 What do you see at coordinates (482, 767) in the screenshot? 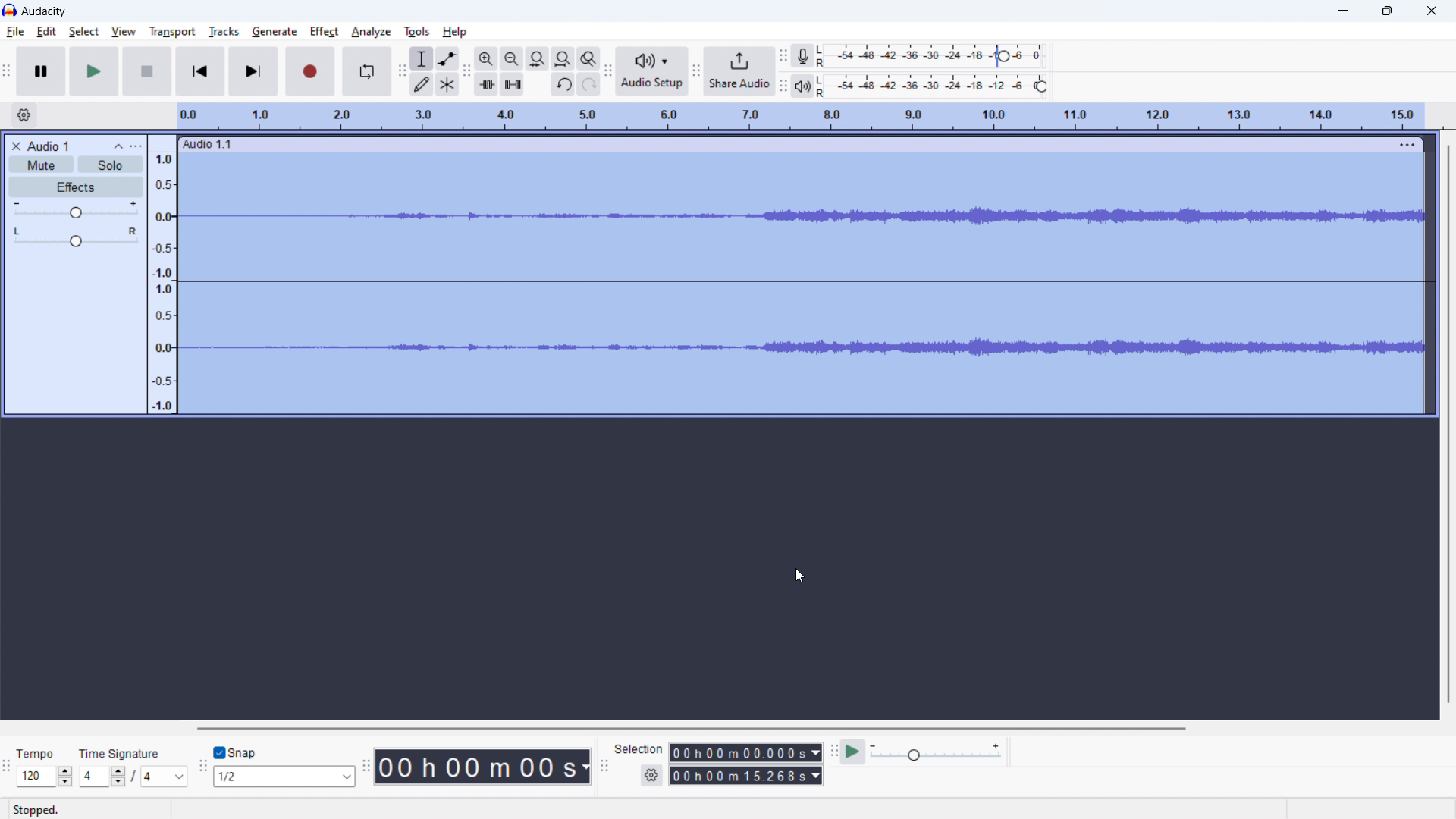
I see `time stamp` at bounding box center [482, 767].